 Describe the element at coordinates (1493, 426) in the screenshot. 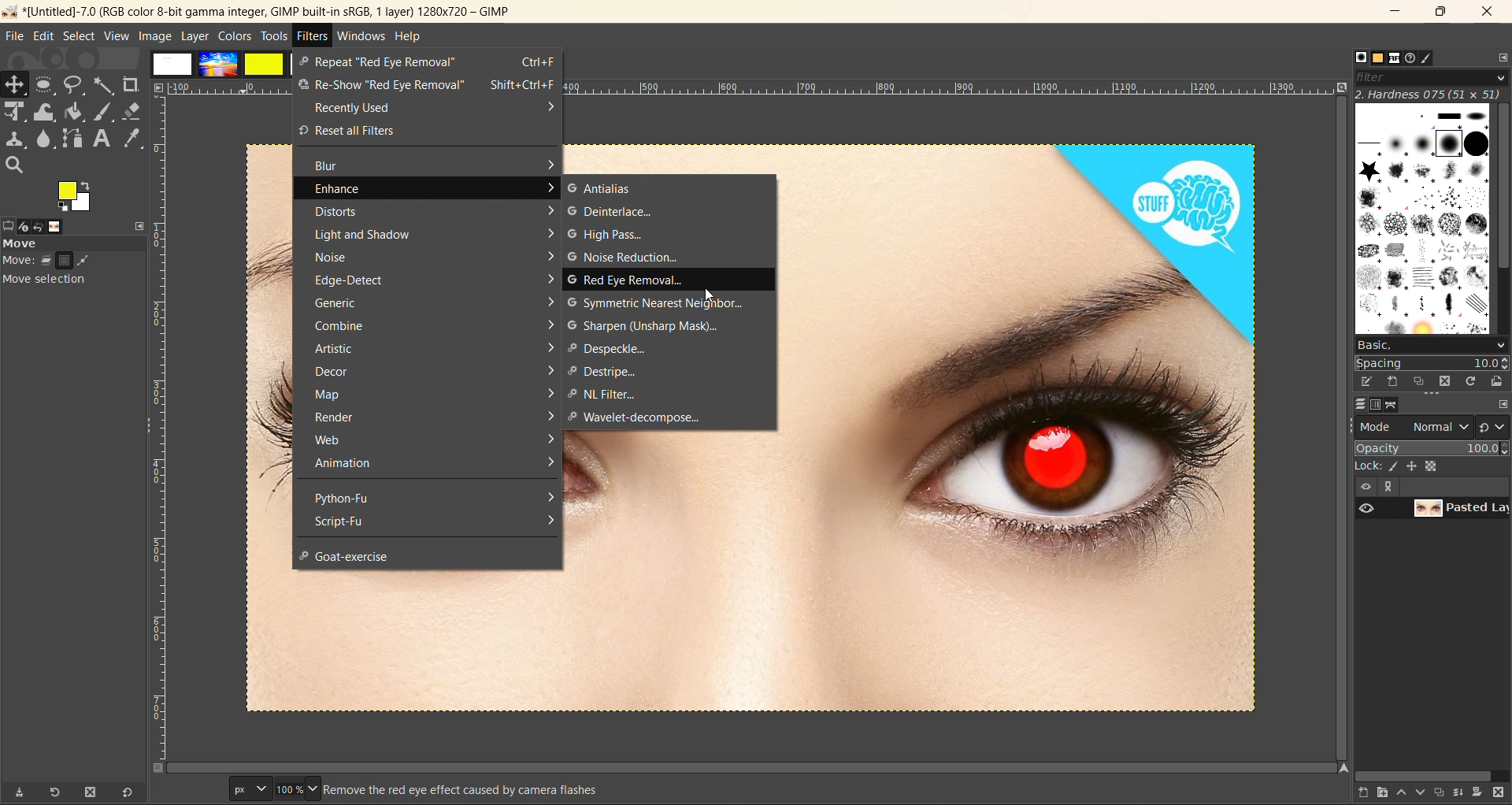

I see `switch to another group` at that location.